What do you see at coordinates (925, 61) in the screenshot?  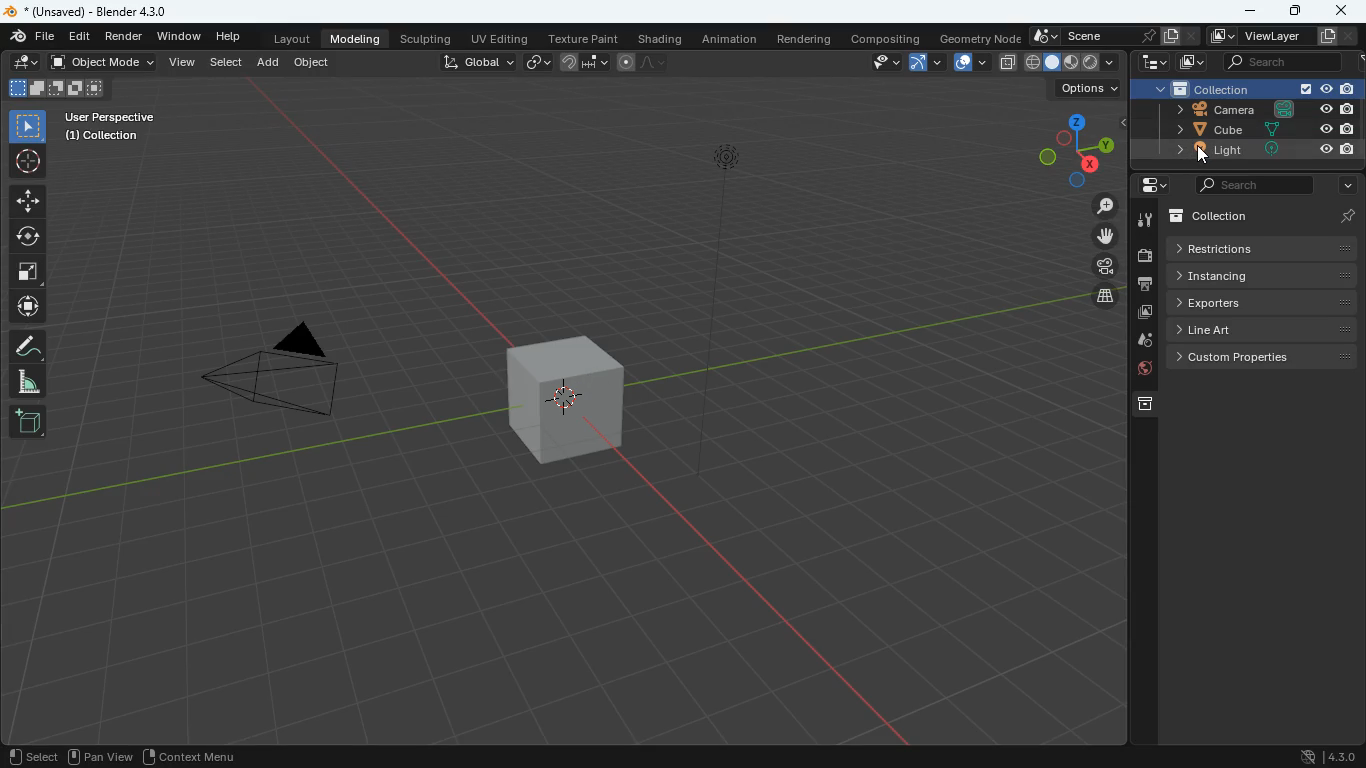 I see `arrow` at bounding box center [925, 61].